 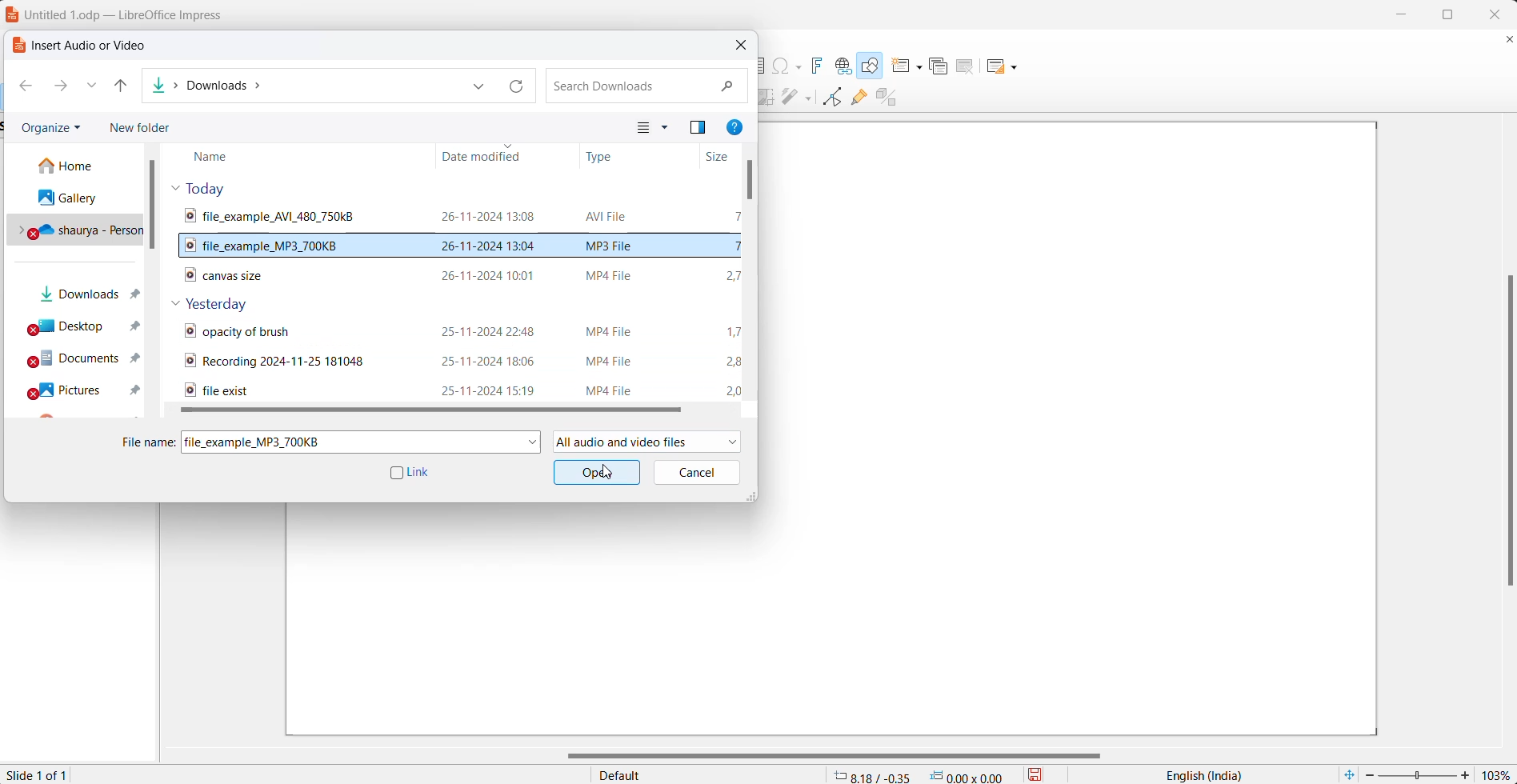 What do you see at coordinates (872, 66) in the screenshot?
I see `show draw functions` at bounding box center [872, 66].